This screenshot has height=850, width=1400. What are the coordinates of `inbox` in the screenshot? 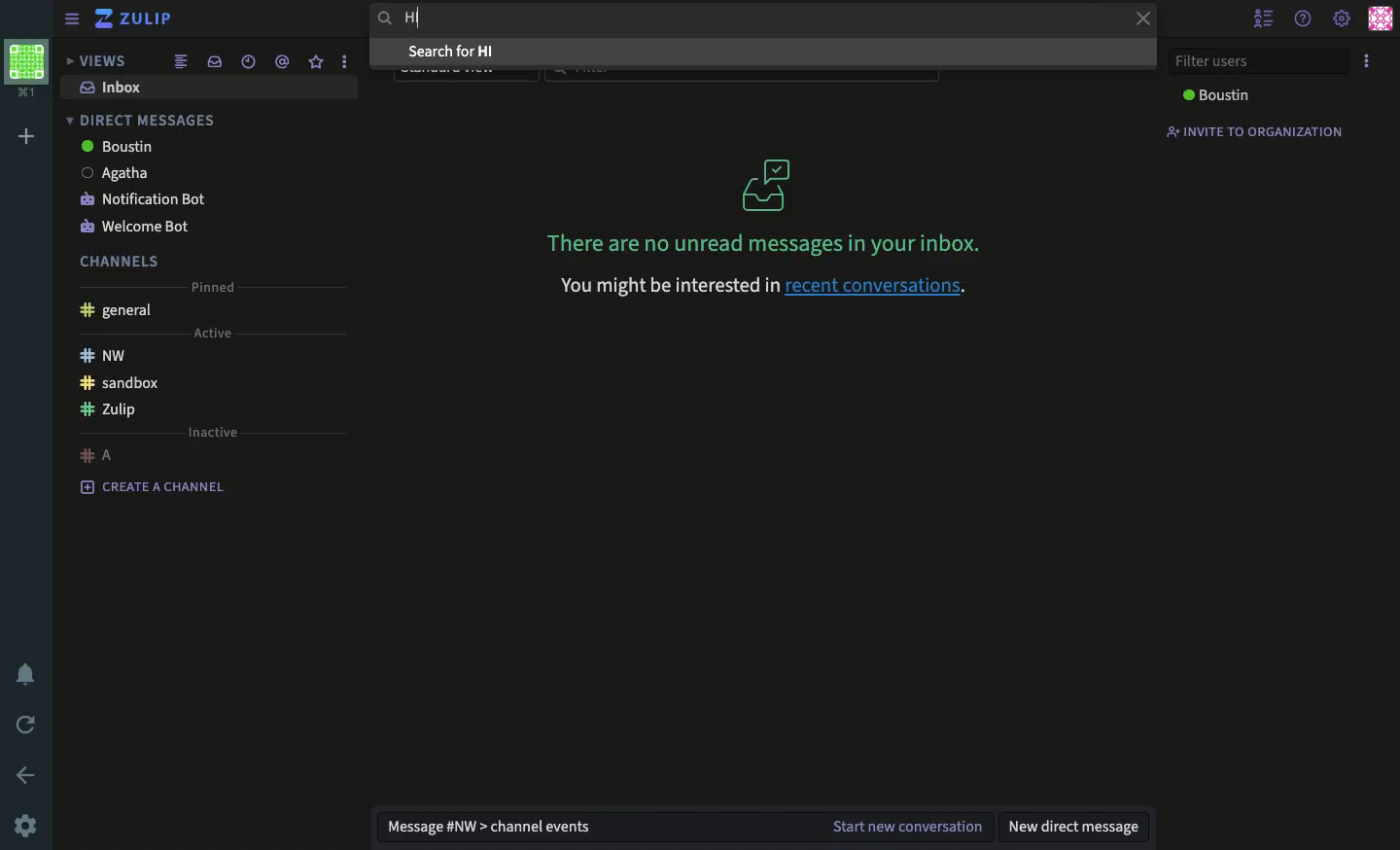 It's located at (214, 60).